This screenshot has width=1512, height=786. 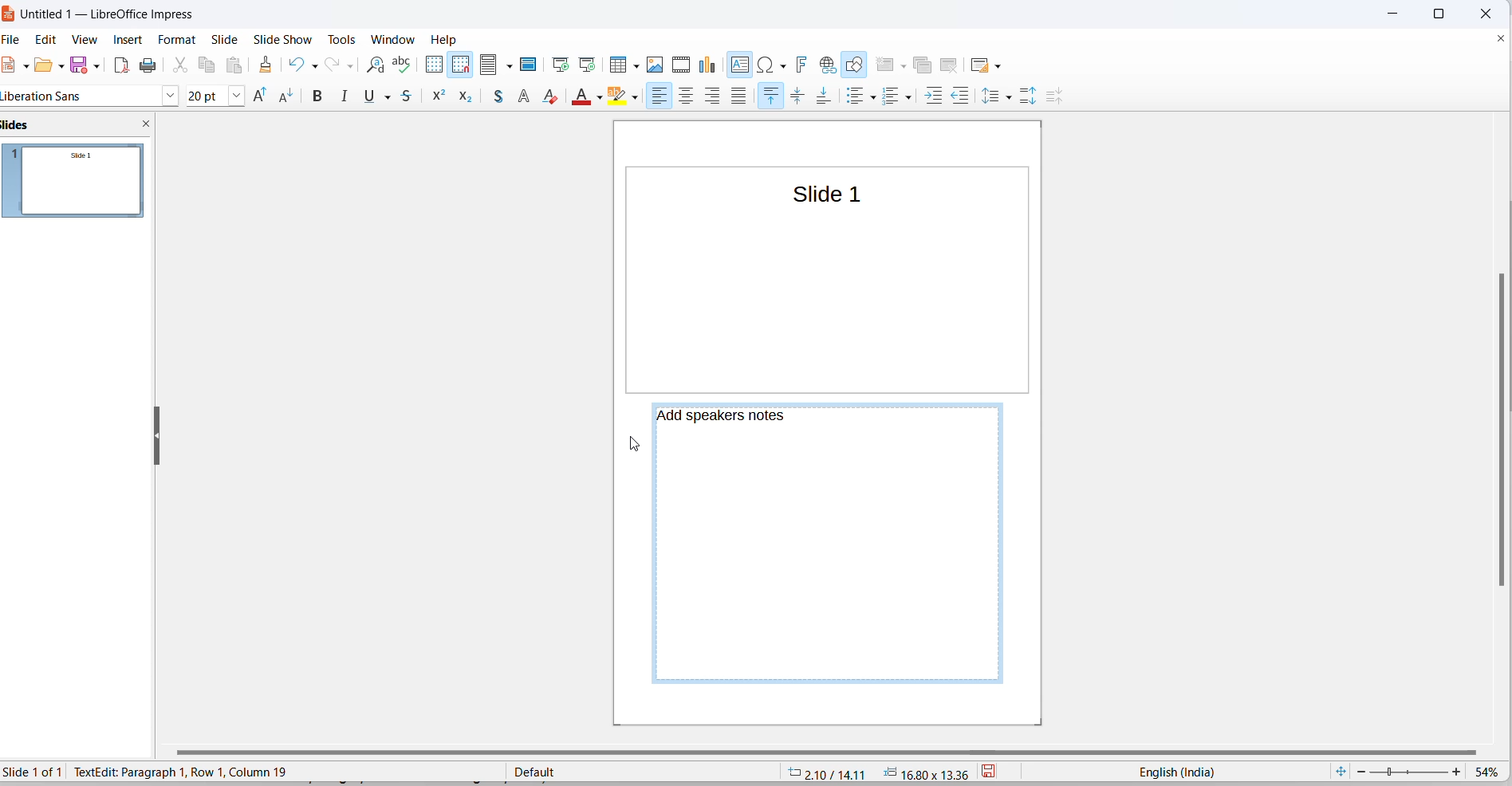 I want to click on close document, so click(x=1501, y=39).